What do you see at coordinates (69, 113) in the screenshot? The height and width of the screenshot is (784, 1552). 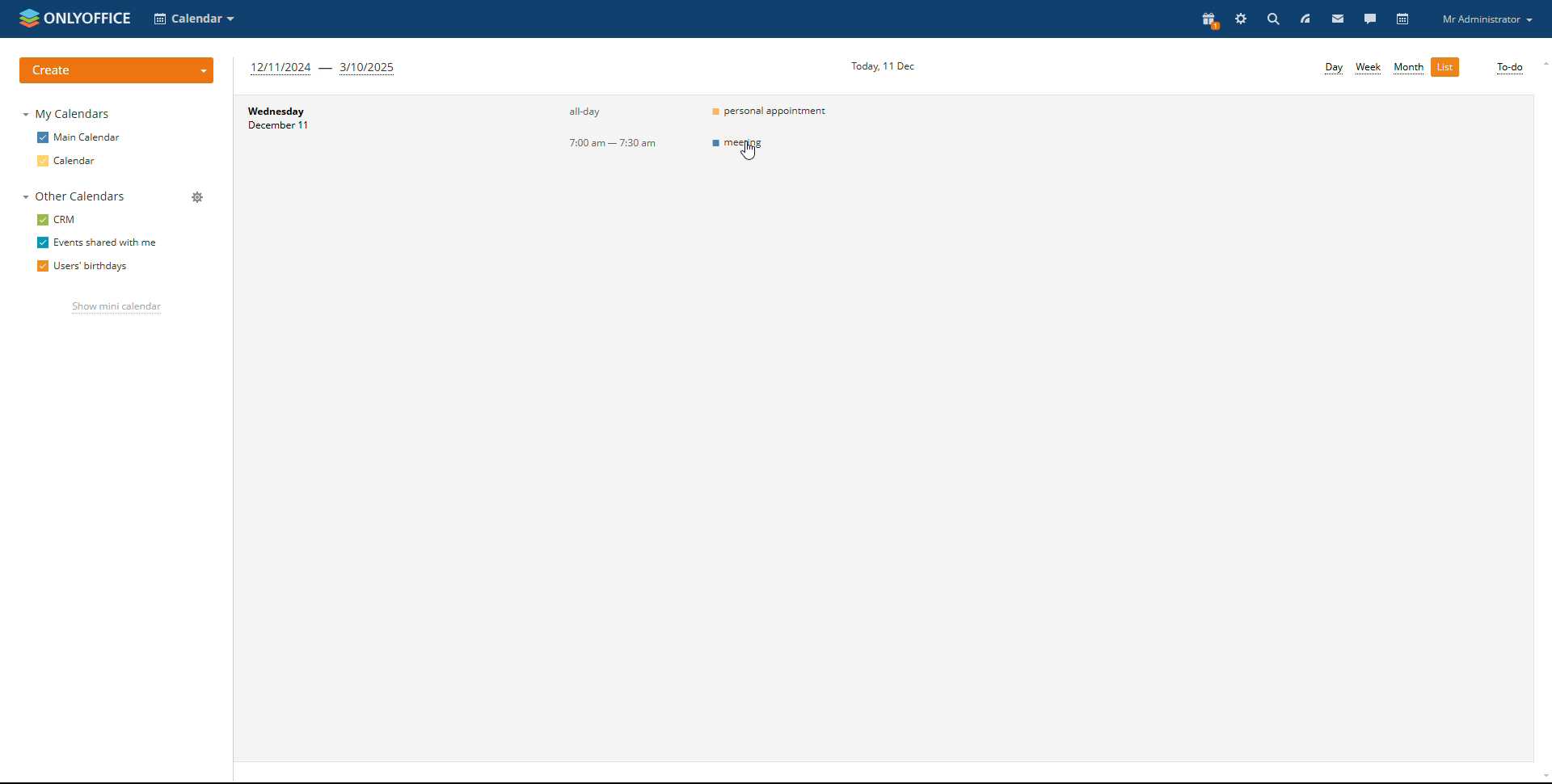 I see `my calendars` at bounding box center [69, 113].